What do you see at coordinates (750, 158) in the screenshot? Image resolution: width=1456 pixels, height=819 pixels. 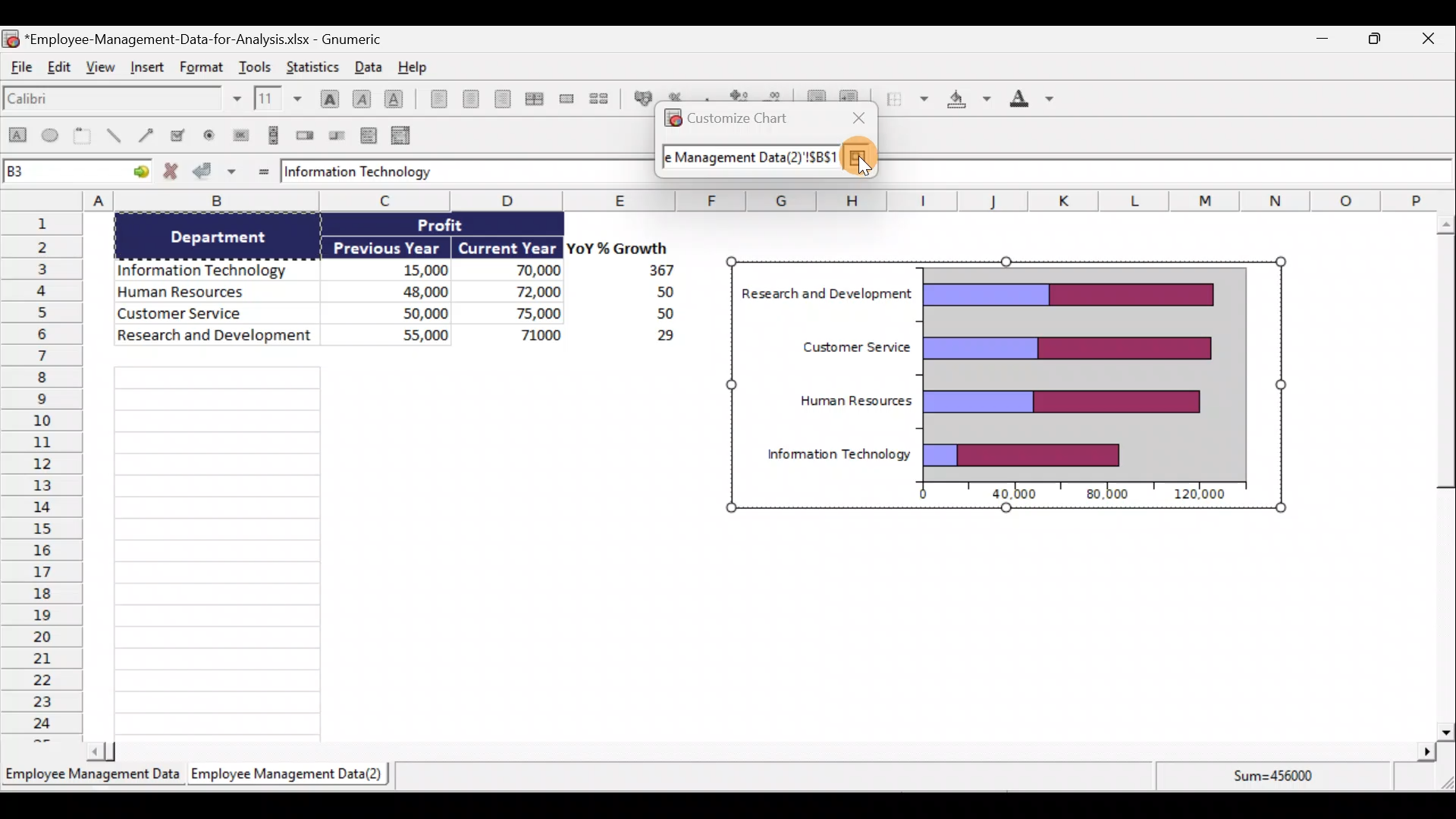 I see `cell reference input` at bounding box center [750, 158].